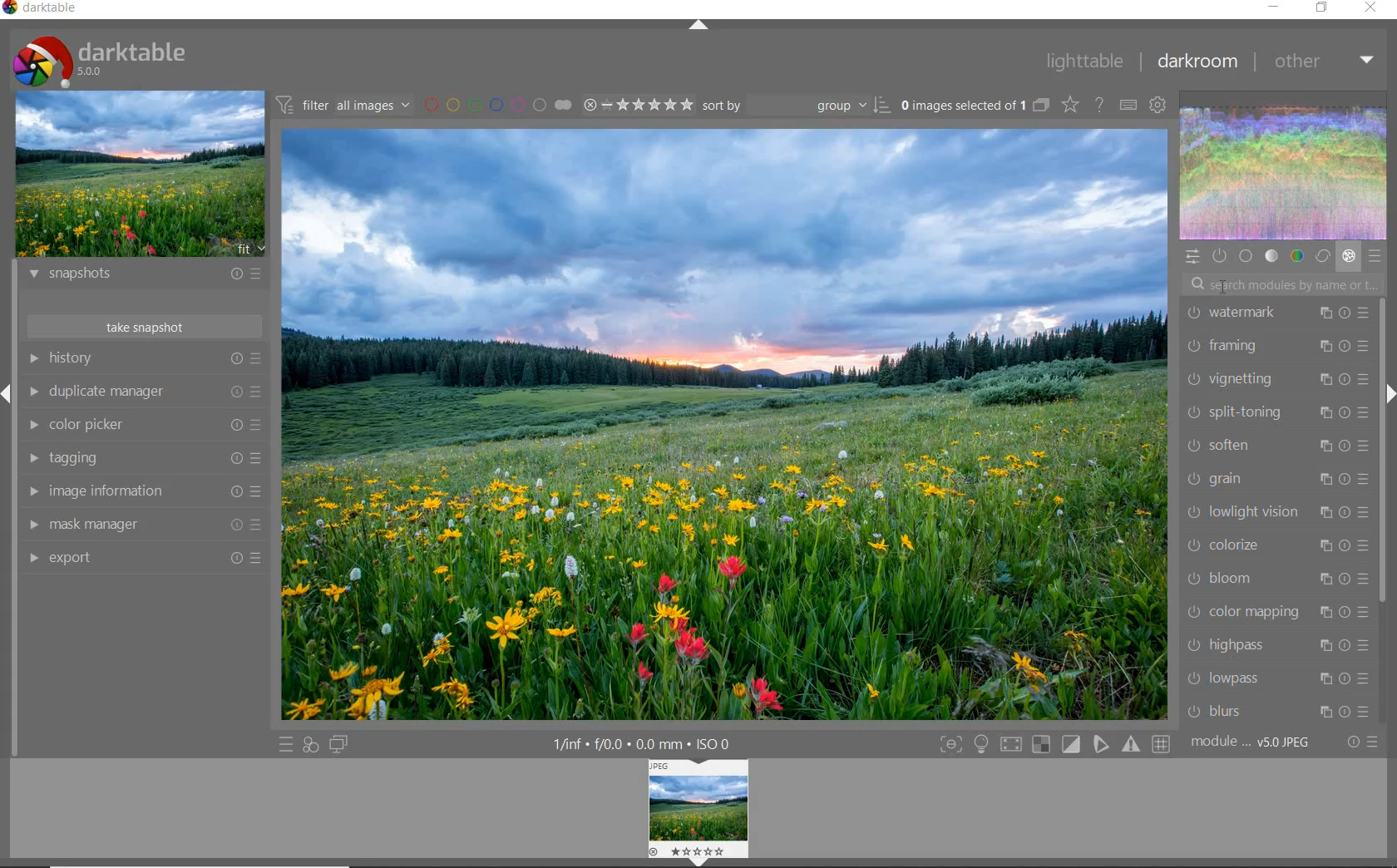  What do you see at coordinates (640, 106) in the screenshot?
I see `range rating of selected images` at bounding box center [640, 106].